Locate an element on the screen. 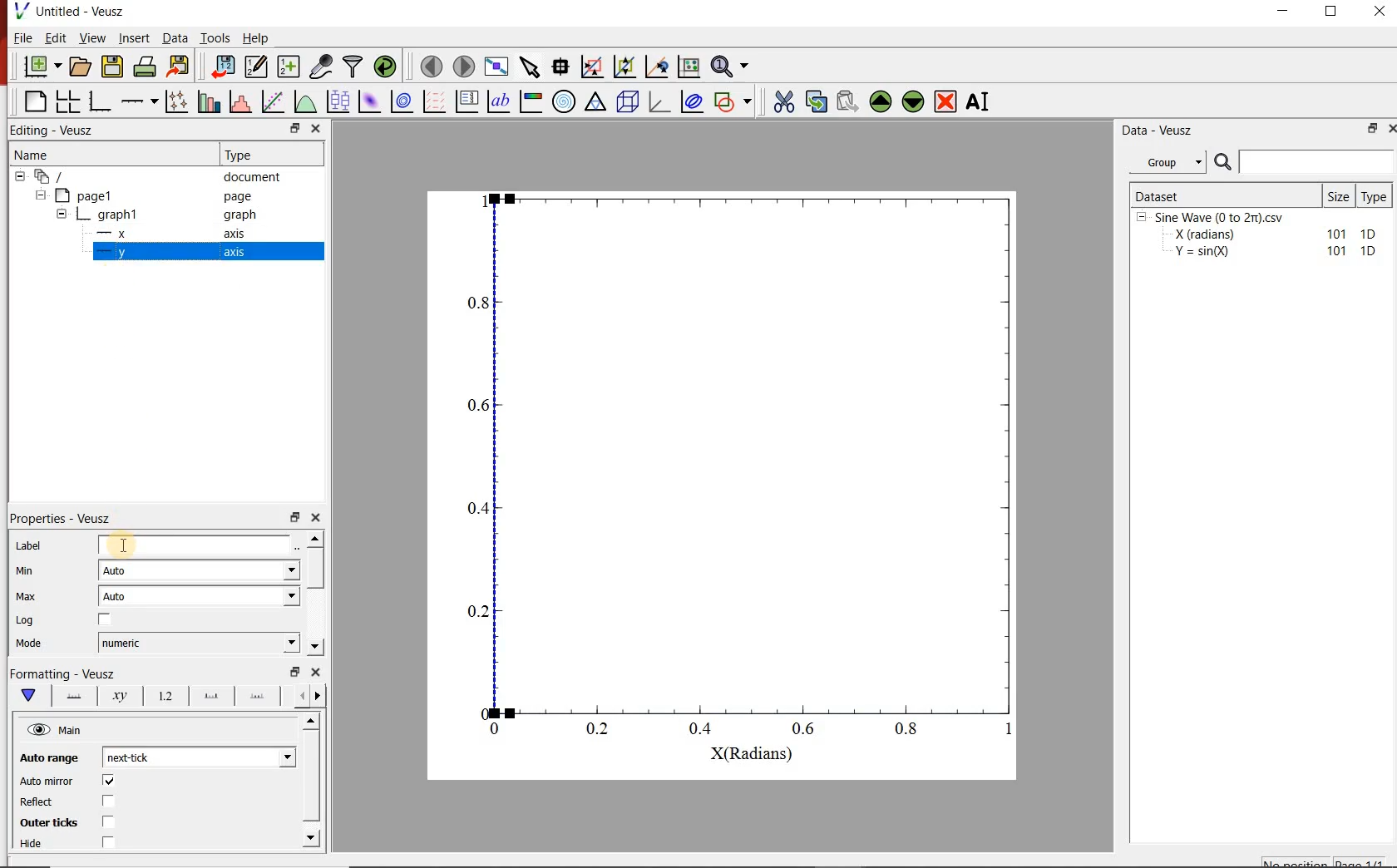 Image resolution: width=1397 pixels, height=868 pixels. zoom functions menu is located at coordinates (732, 64).